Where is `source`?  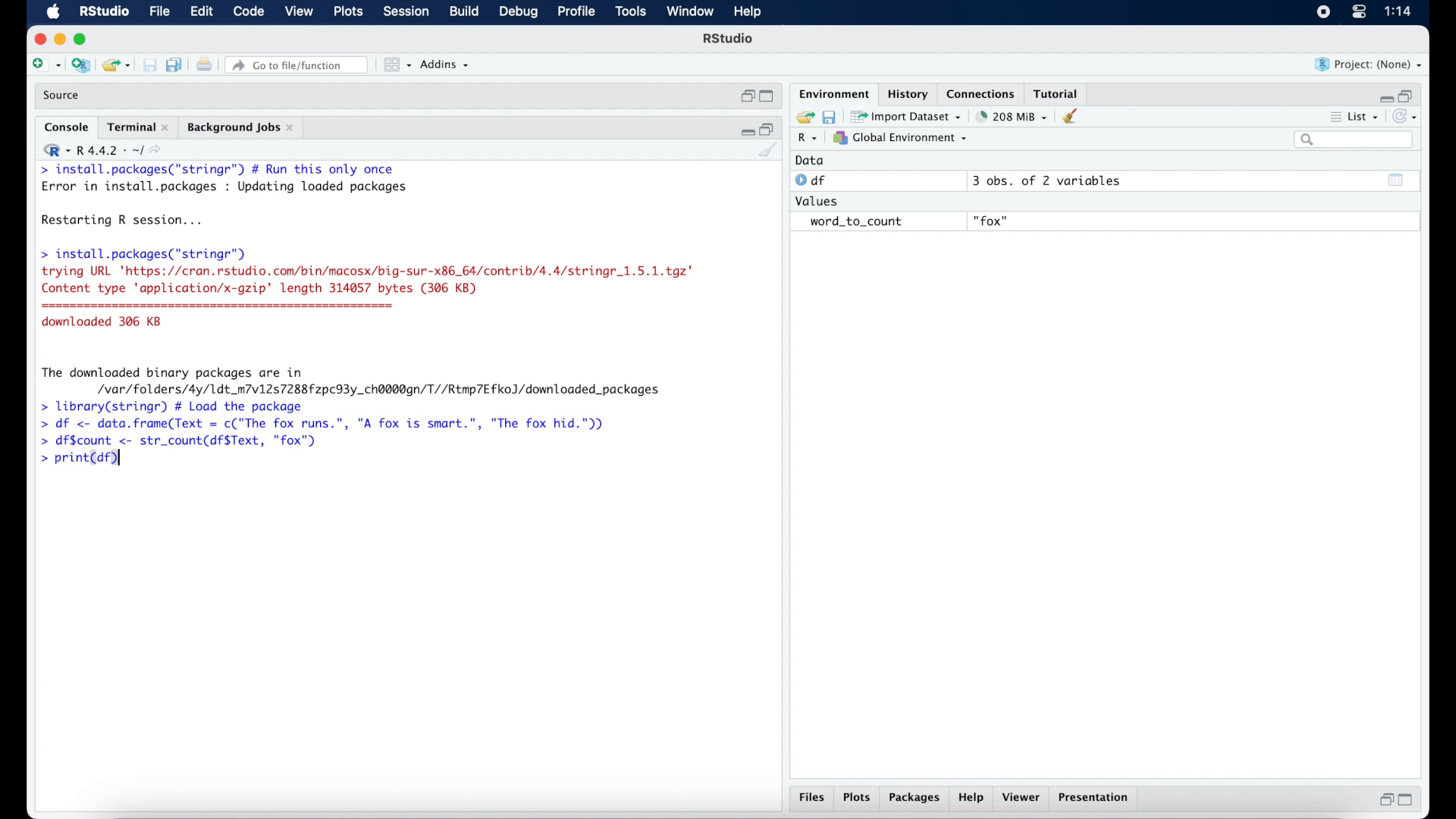
source is located at coordinates (63, 96).